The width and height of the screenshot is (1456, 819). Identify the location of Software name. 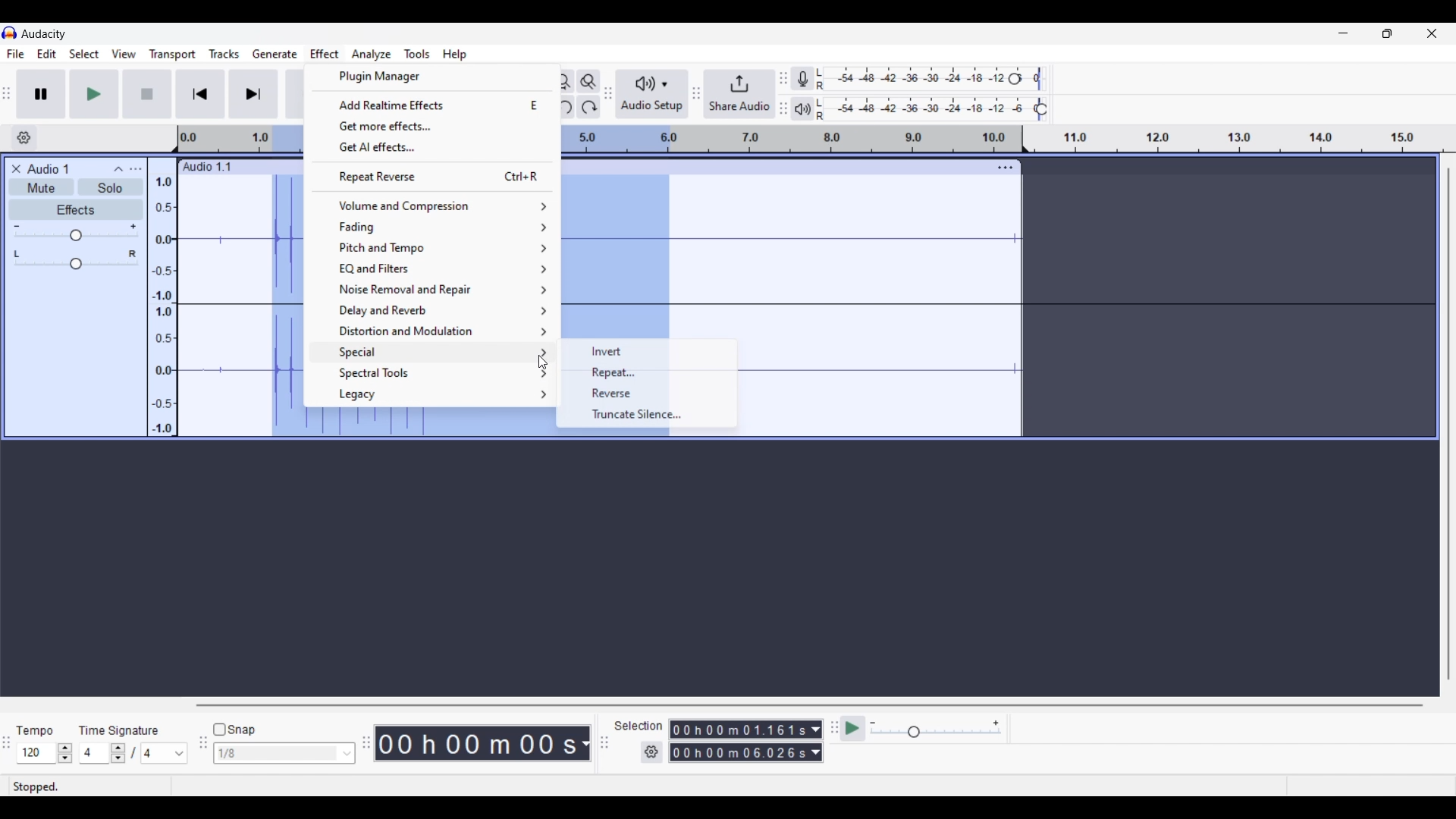
(45, 34).